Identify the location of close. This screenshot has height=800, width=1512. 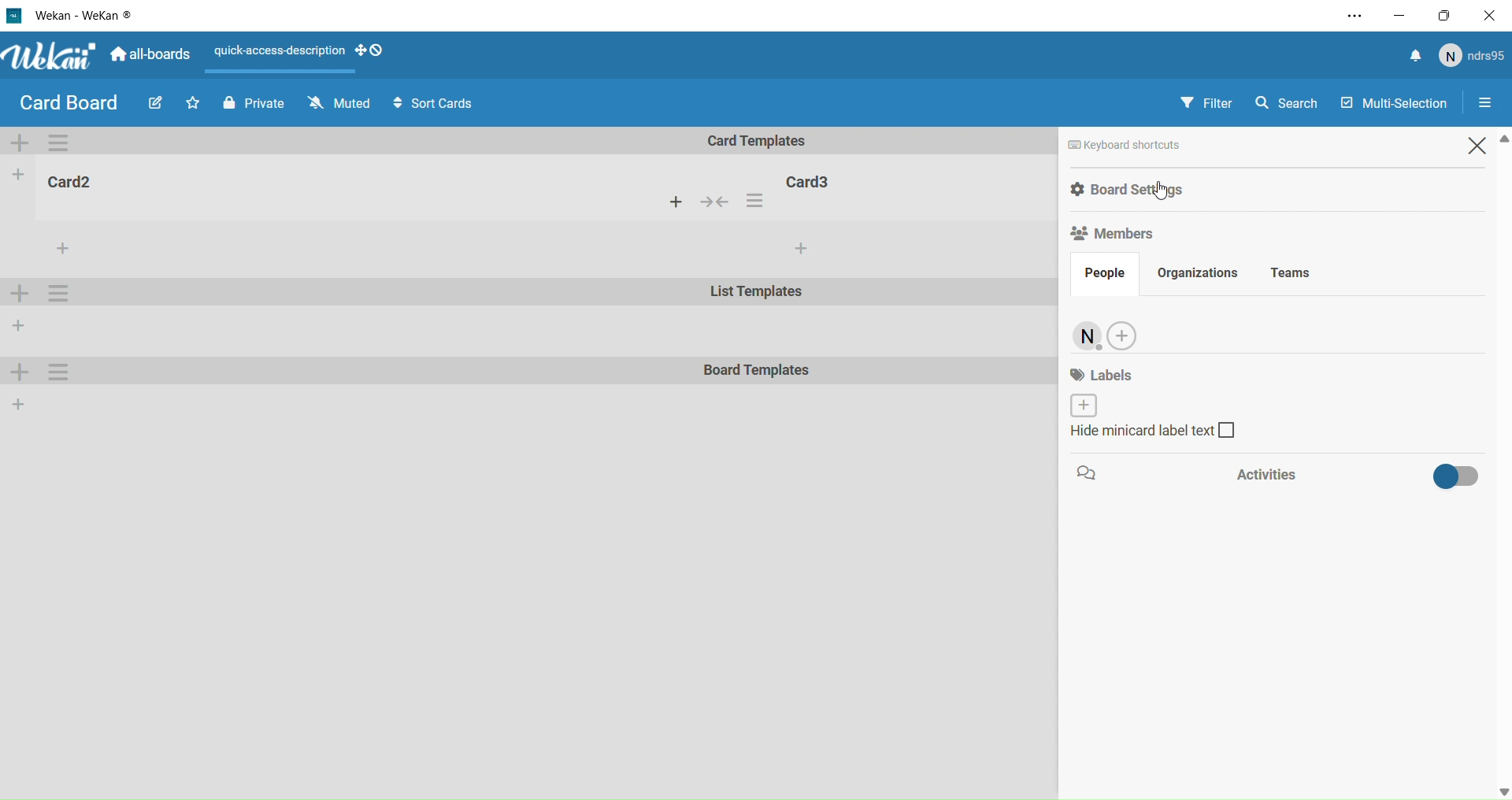
(1481, 145).